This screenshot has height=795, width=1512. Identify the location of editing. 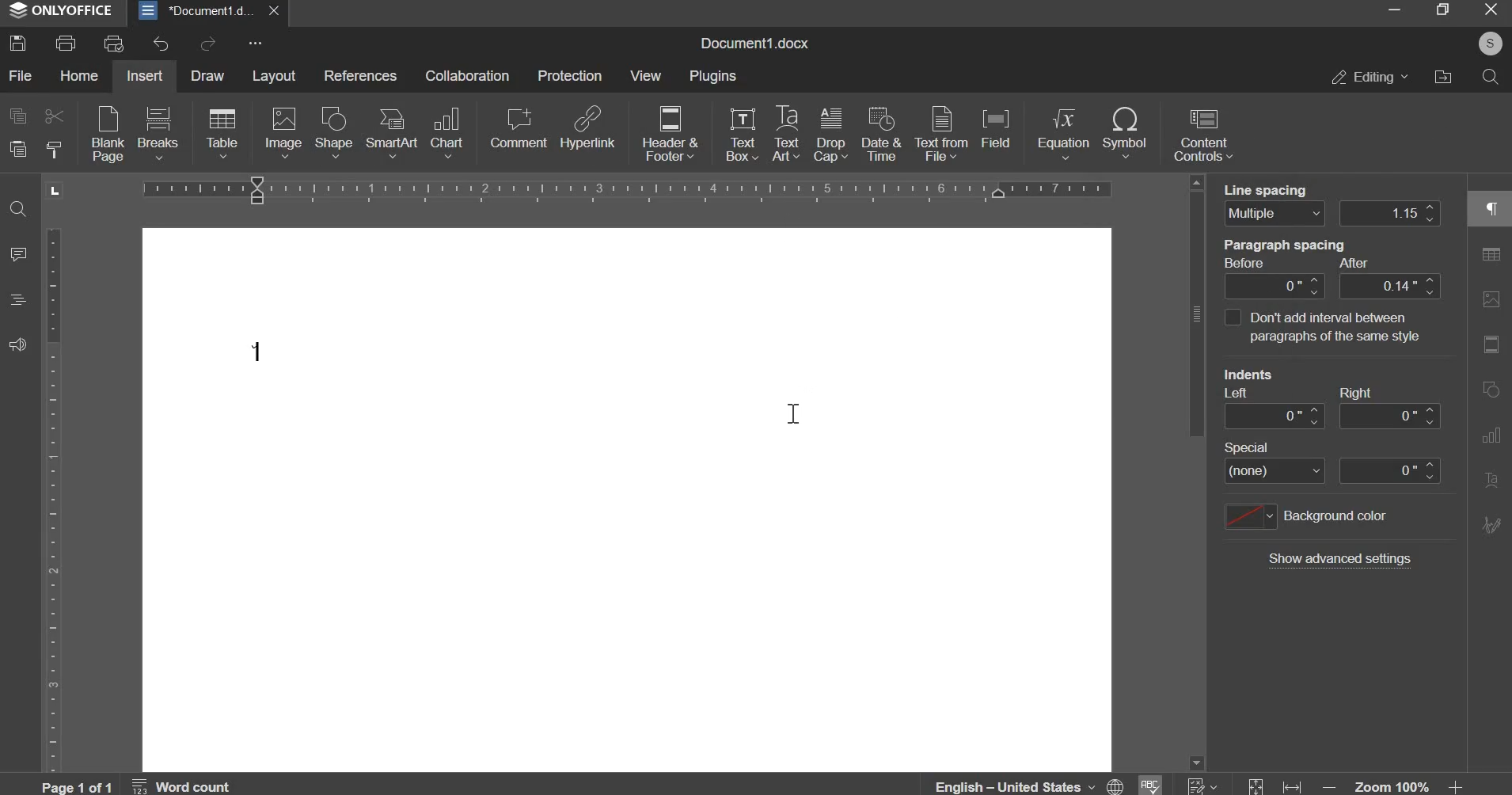
(1367, 77).